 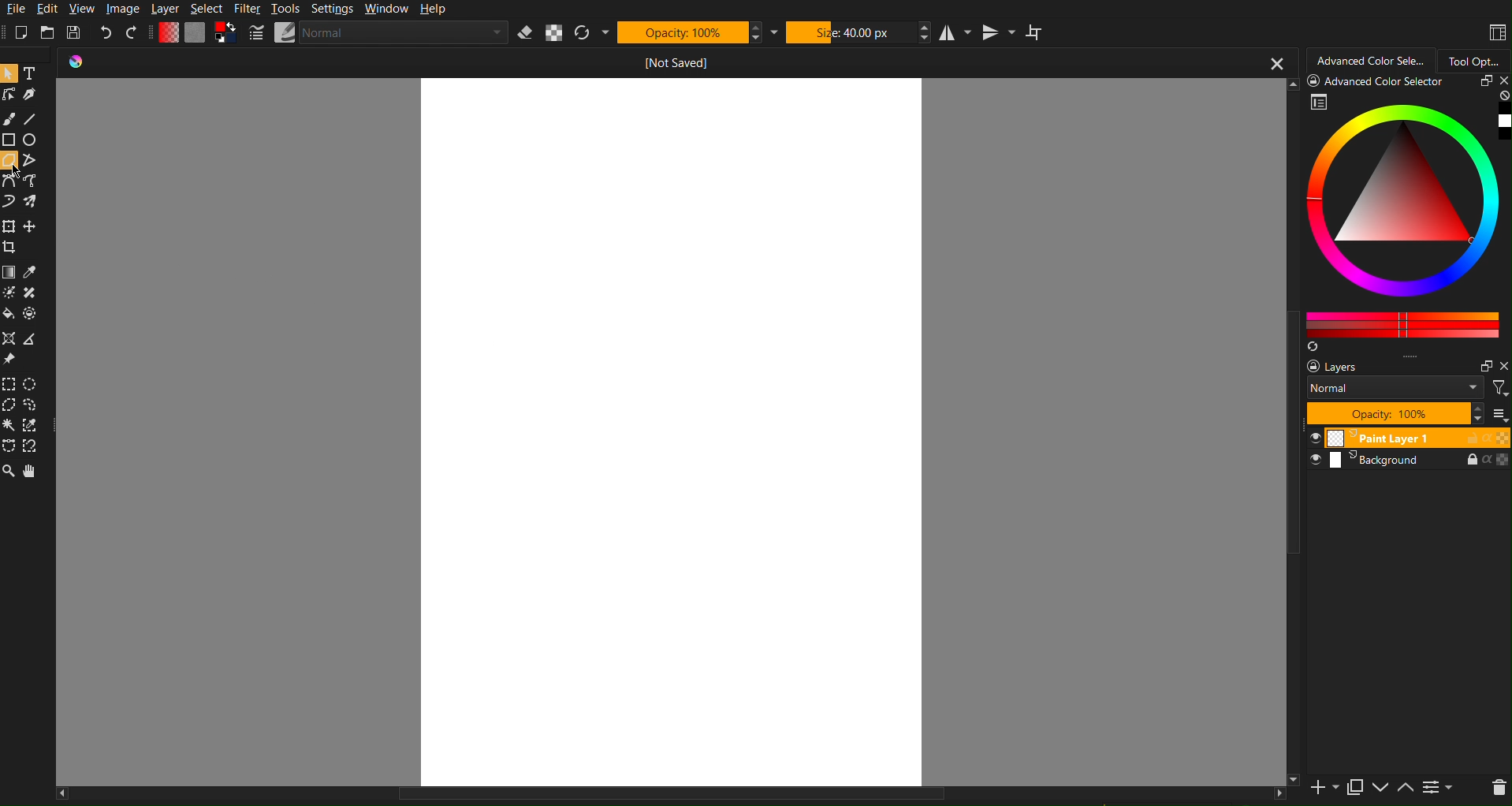 What do you see at coordinates (76, 32) in the screenshot?
I see `Save` at bounding box center [76, 32].